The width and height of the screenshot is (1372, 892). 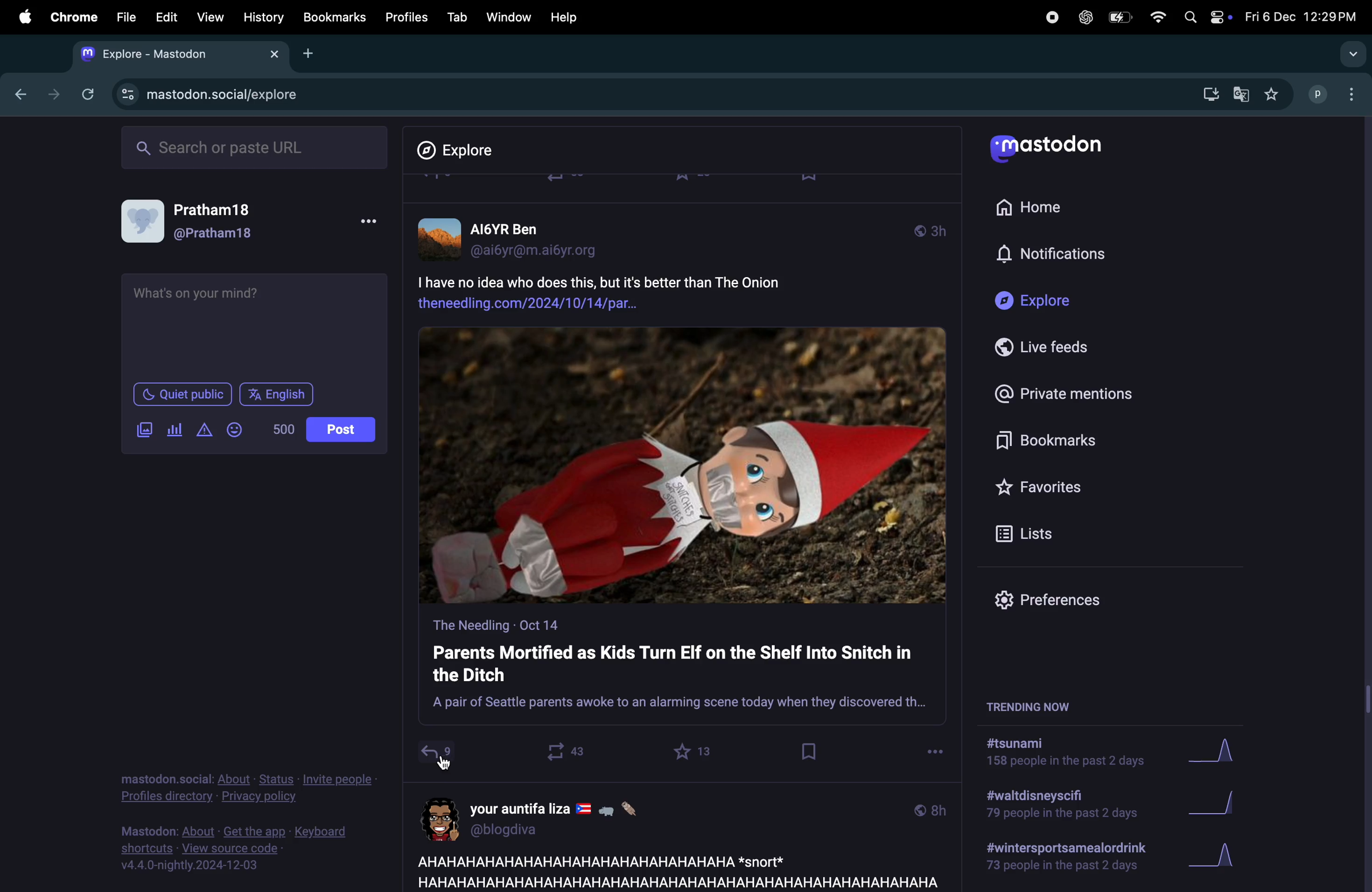 What do you see at coordinates (1157, 17) in the screenshot?
I see `wifi` at bounding box center [1157, 17].